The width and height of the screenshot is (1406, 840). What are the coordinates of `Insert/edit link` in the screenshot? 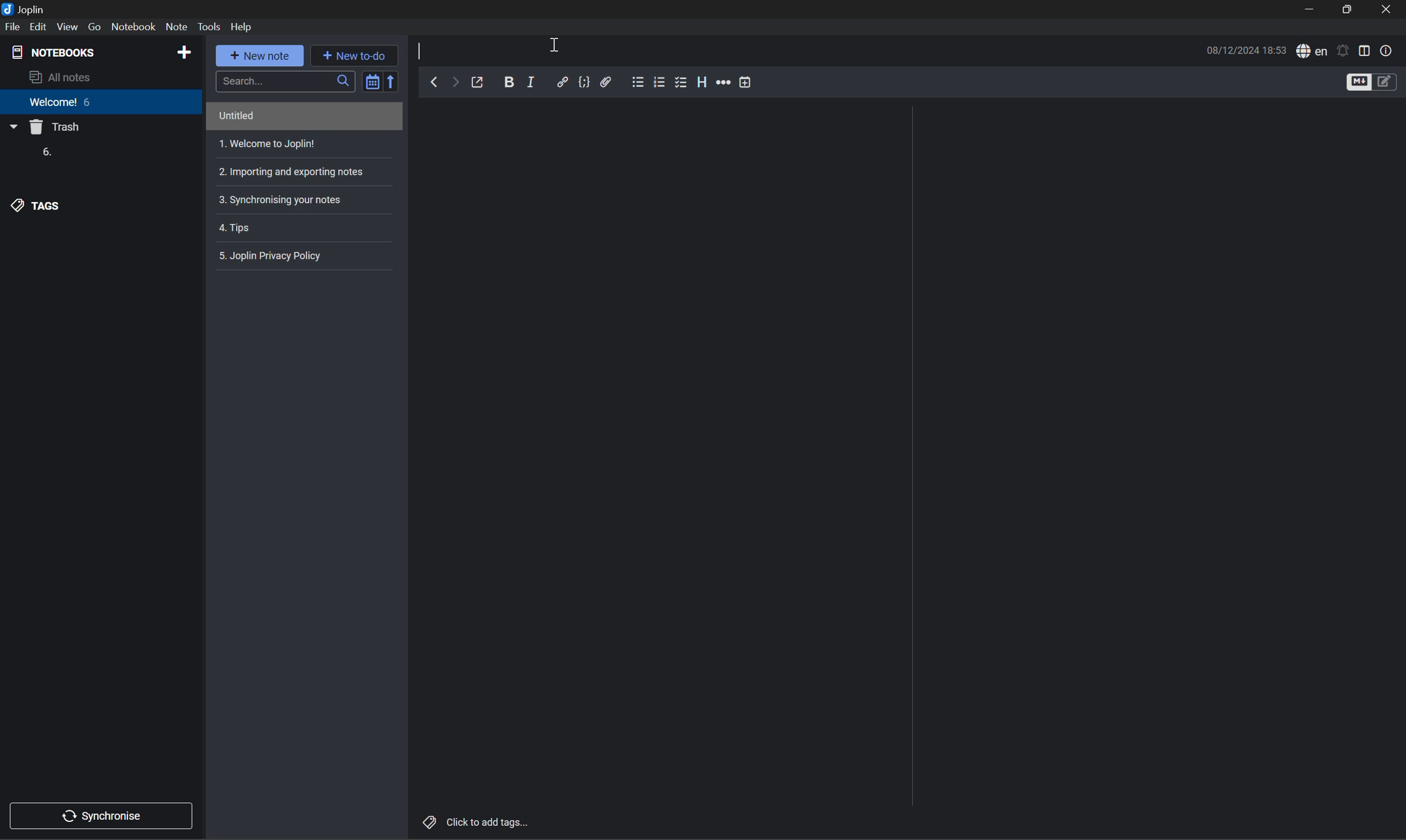 It's located at (562, 81).